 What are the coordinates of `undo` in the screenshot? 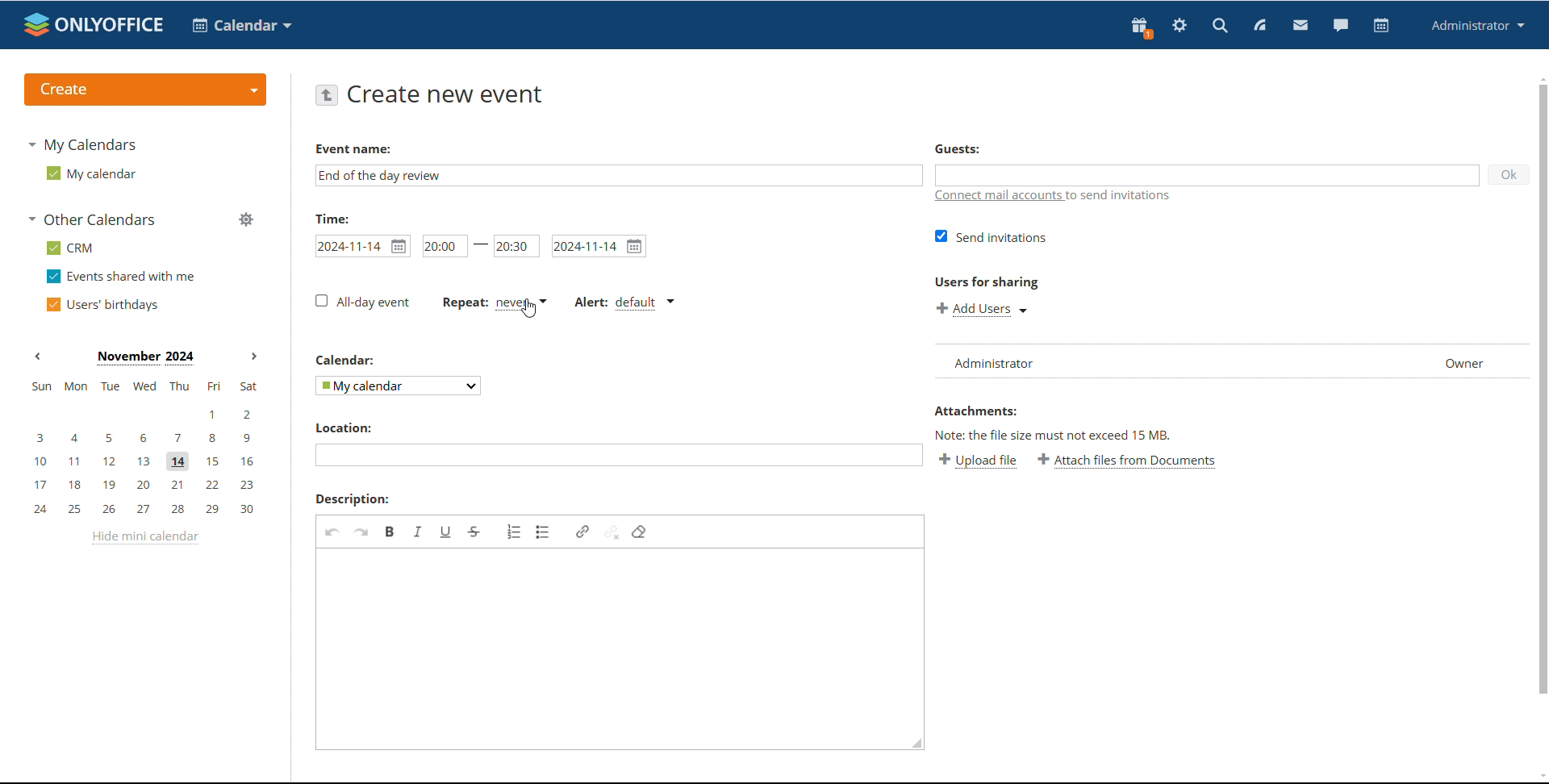 It's located at (332, 532).